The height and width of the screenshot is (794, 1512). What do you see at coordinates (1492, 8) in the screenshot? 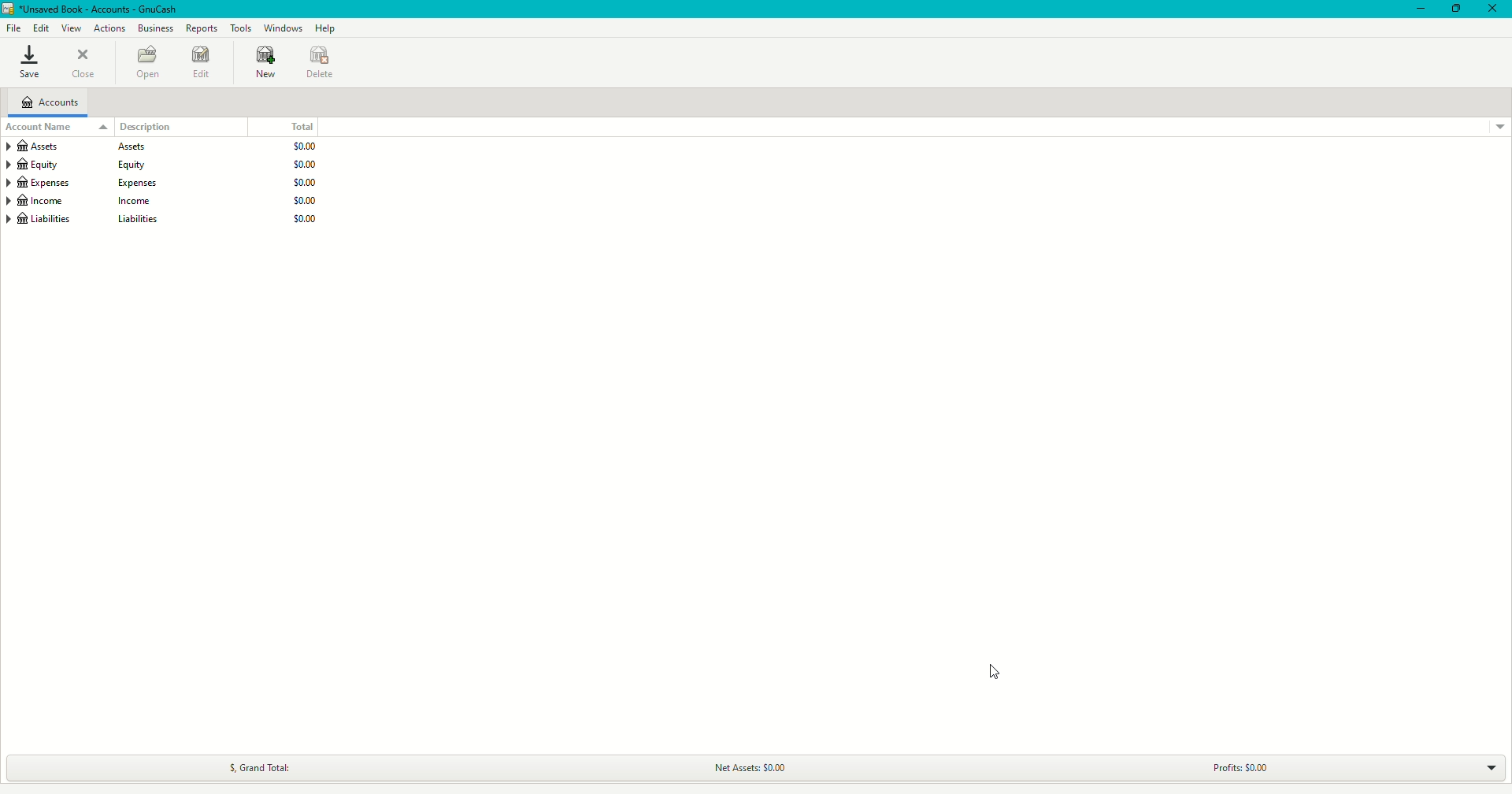
I see `Close` at bounding box center [1492, 8].